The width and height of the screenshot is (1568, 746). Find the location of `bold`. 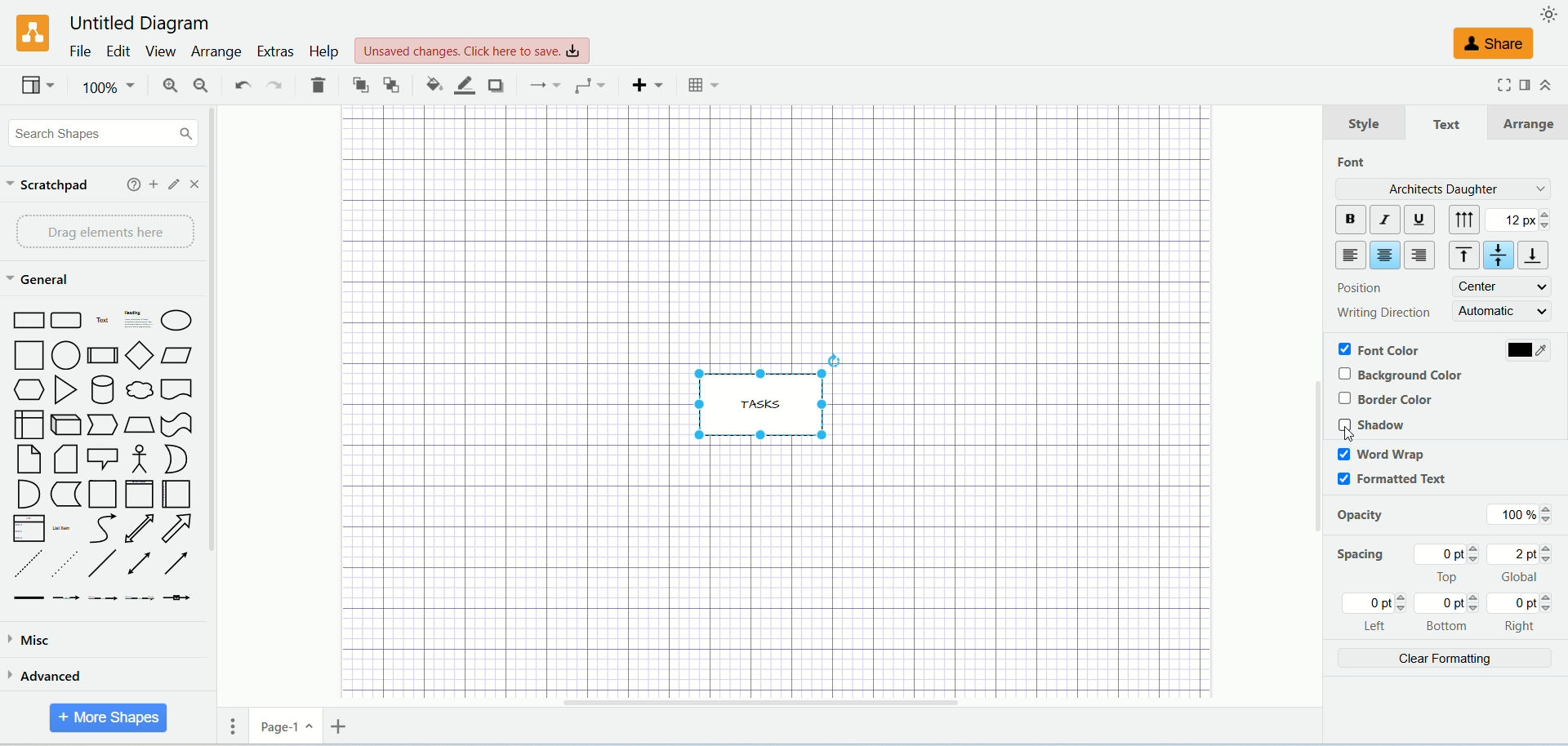

bold is located at coordinates (1348, 220).